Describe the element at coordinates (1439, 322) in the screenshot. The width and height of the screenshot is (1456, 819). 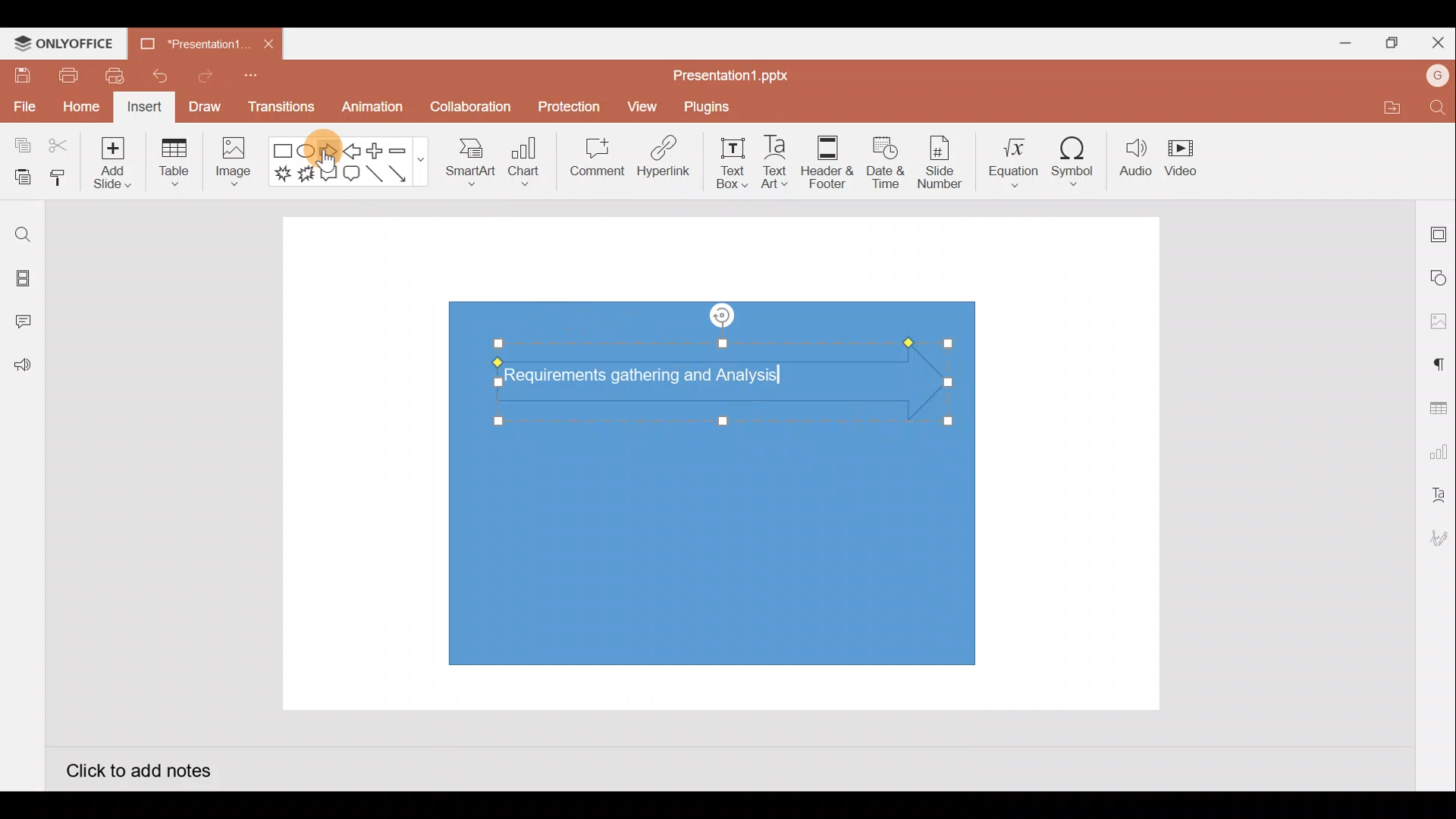
I see `Image settings` at that location.